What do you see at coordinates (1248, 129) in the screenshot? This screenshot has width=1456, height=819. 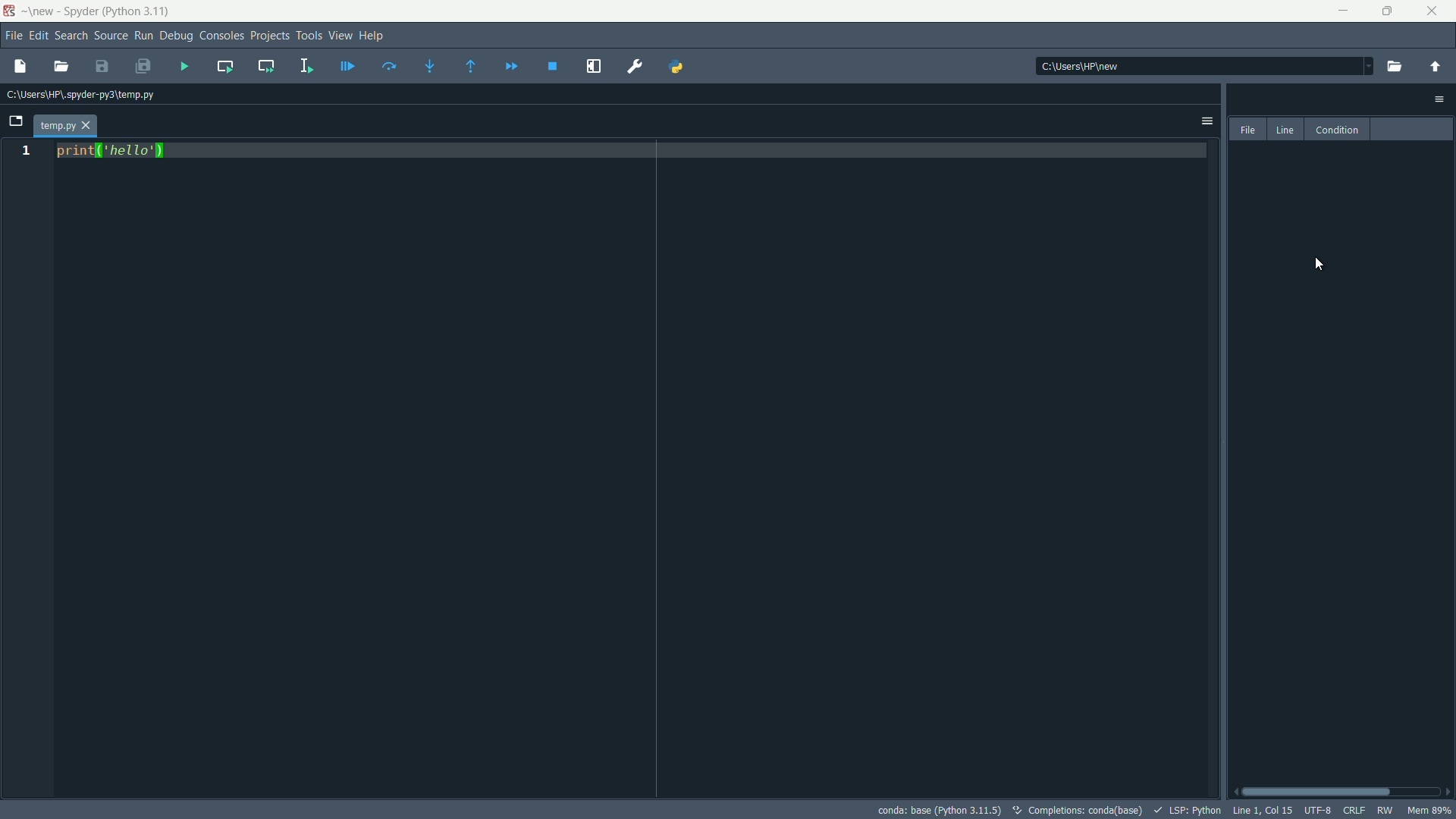 I see `file` at bounding box center [1248, 129].